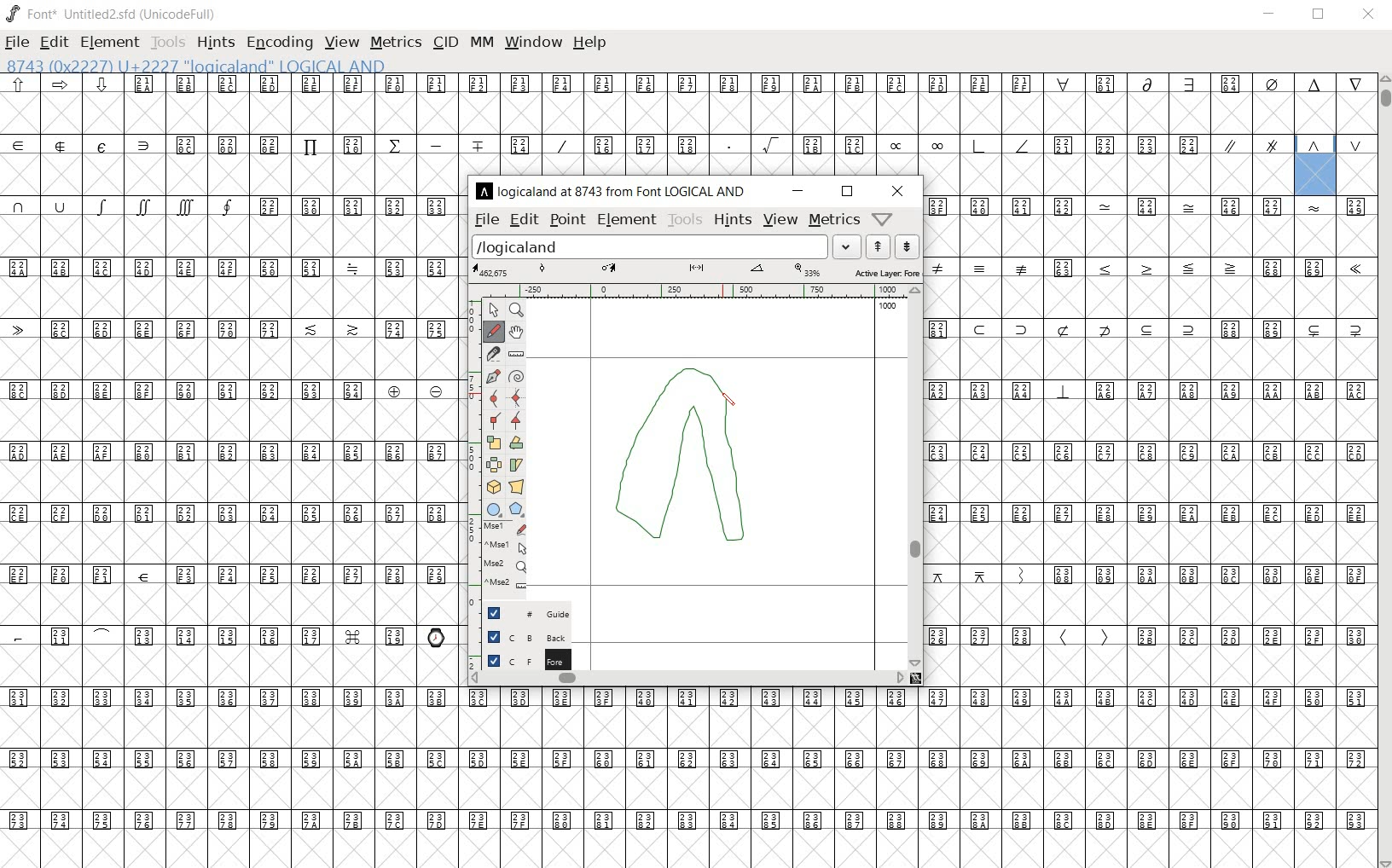 The height and width of the screenshot is (868, 1392). What do you see at coordinates (834, 219) in the screenshot?
I see `metrics` at bounding box center [834, 219].